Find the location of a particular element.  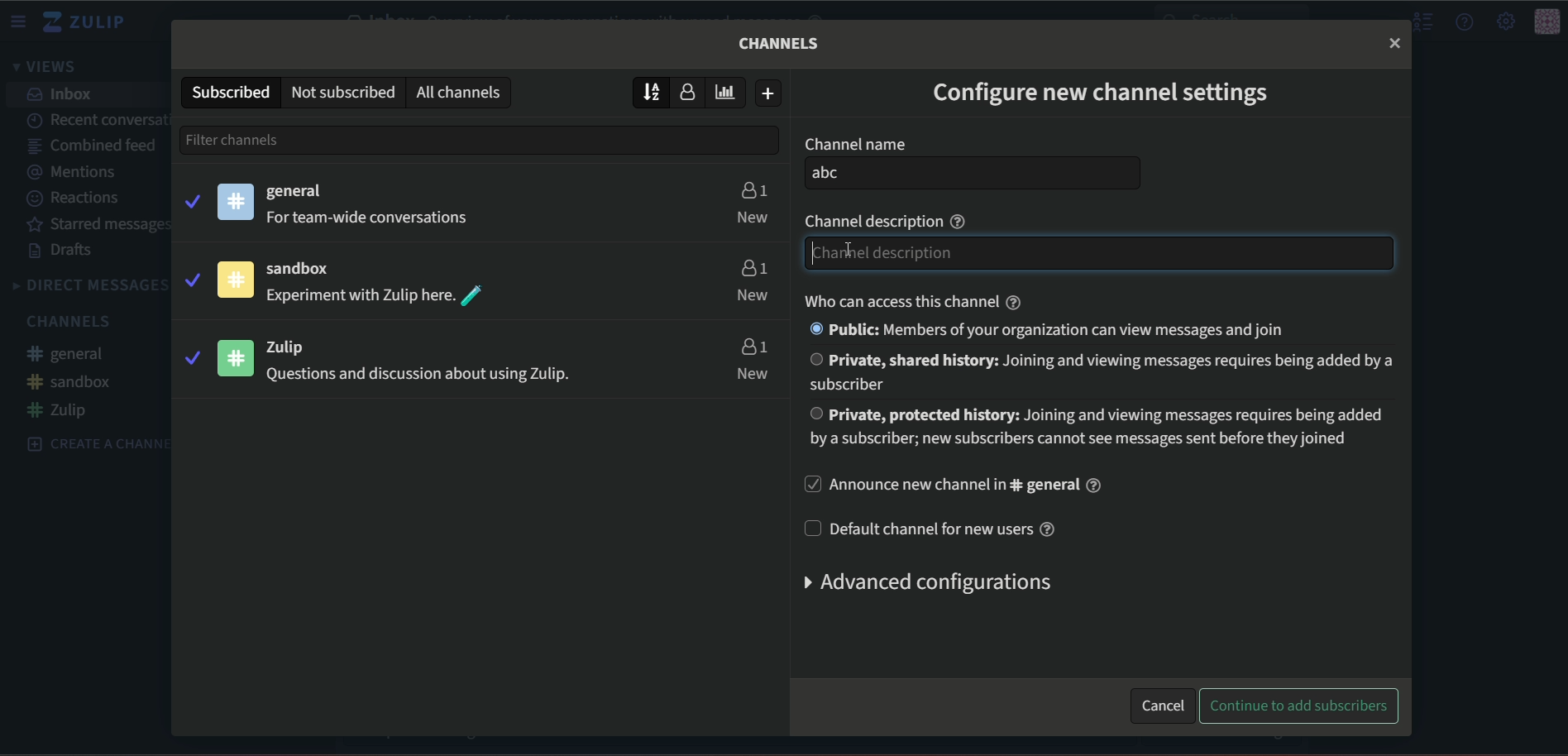

for team-wide conversatuons is located at coordinates (372, 218).